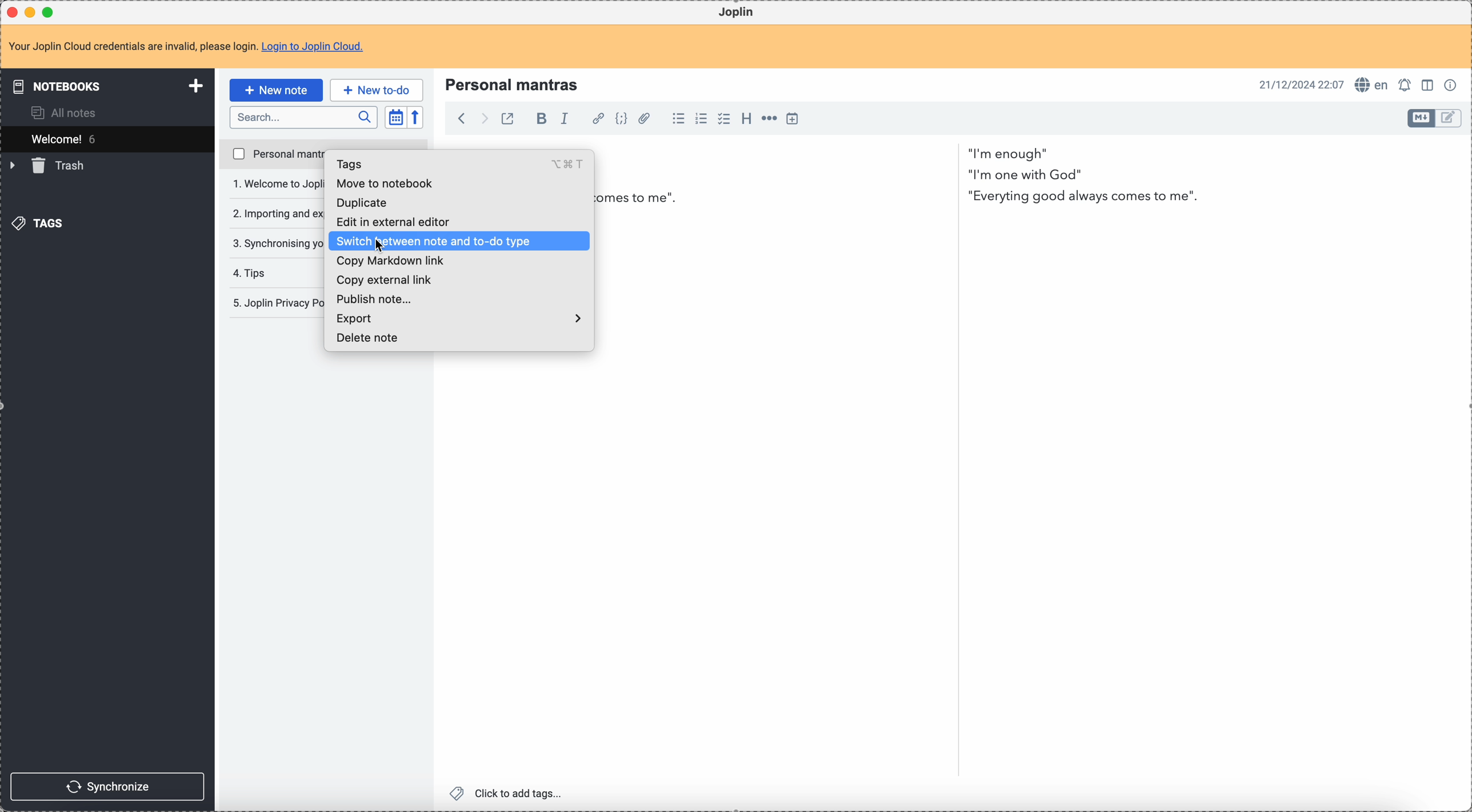  Describe the element at coordinates (735, 12) in the screenshot. I see `Joplin` at that location.